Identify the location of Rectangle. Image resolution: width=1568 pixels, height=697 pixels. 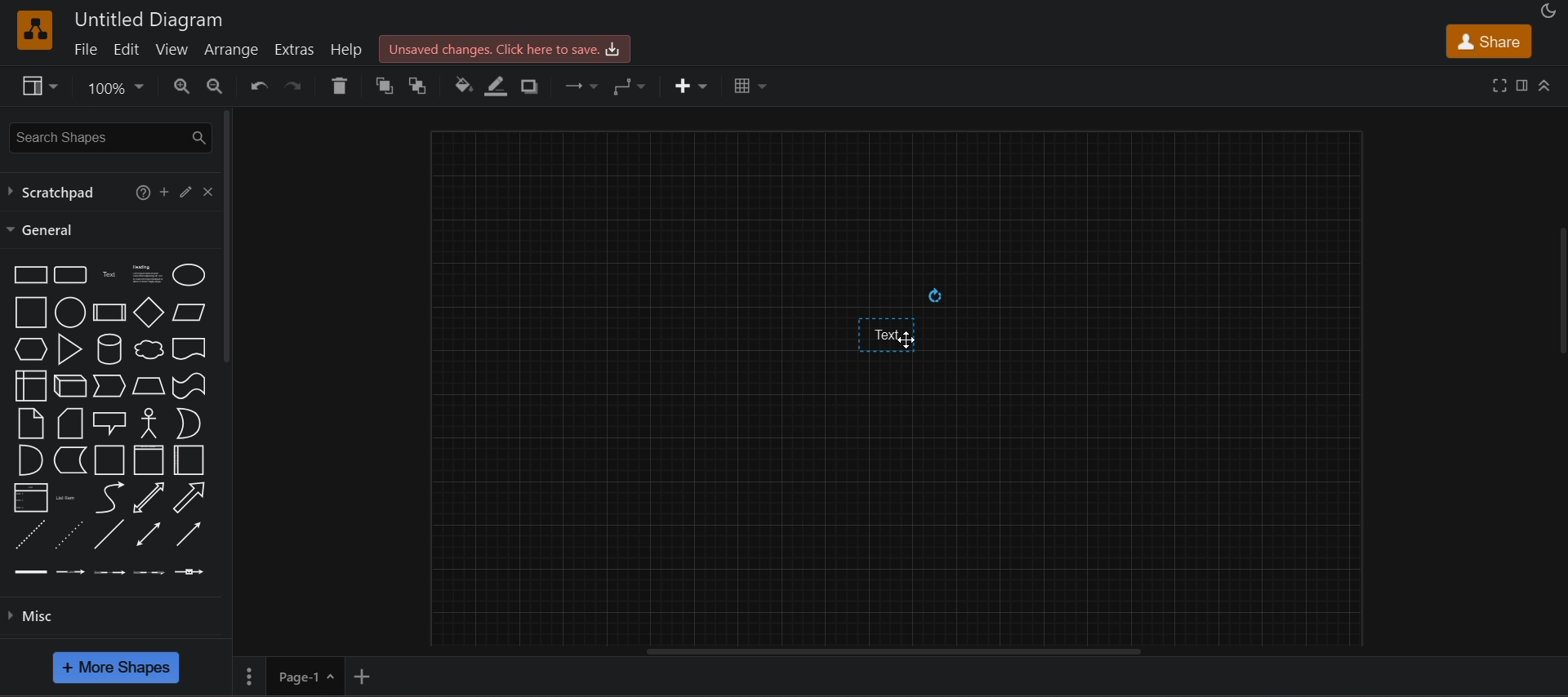
(30, 274).